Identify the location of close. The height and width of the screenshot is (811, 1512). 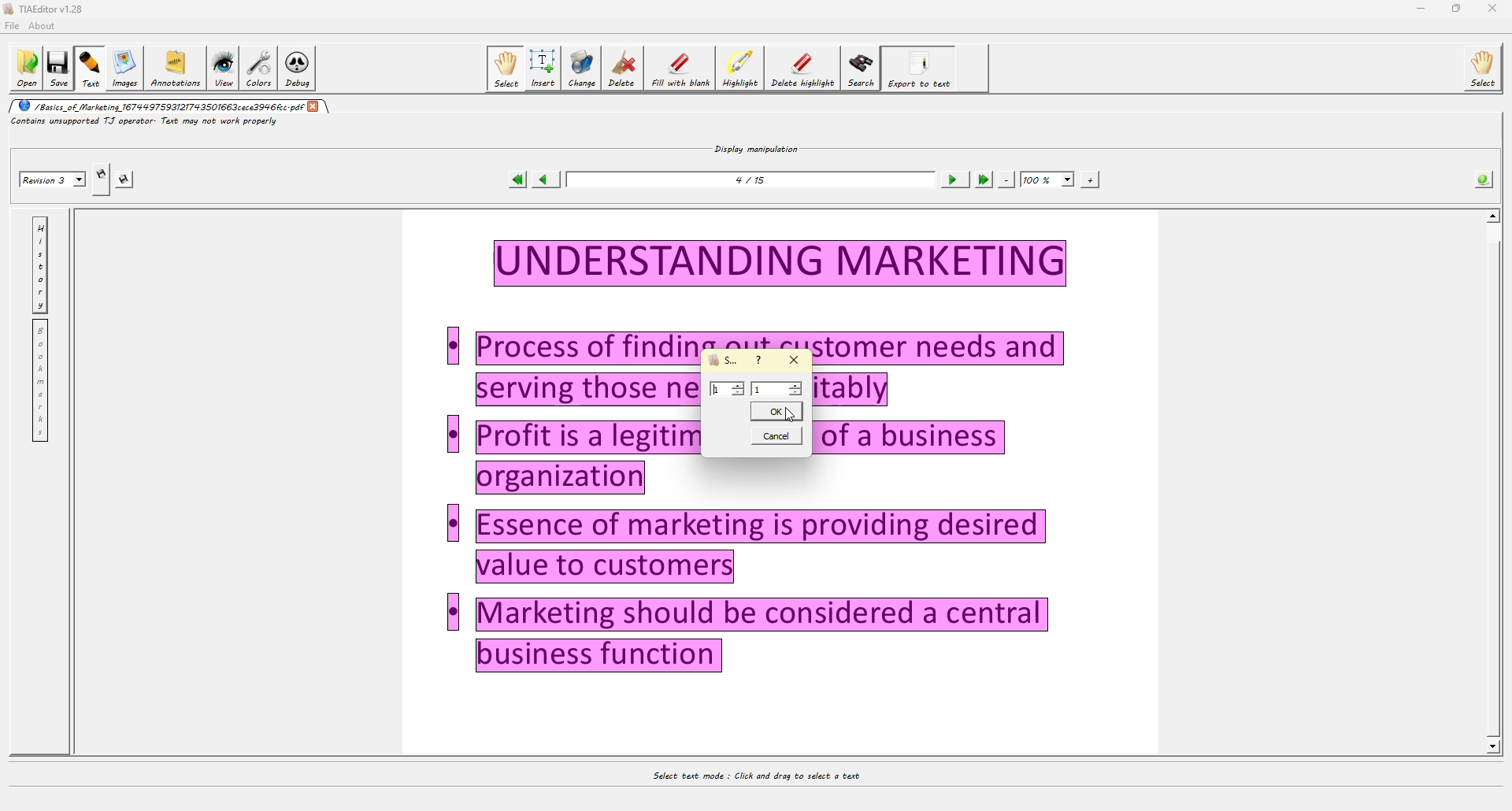
(313, 106).